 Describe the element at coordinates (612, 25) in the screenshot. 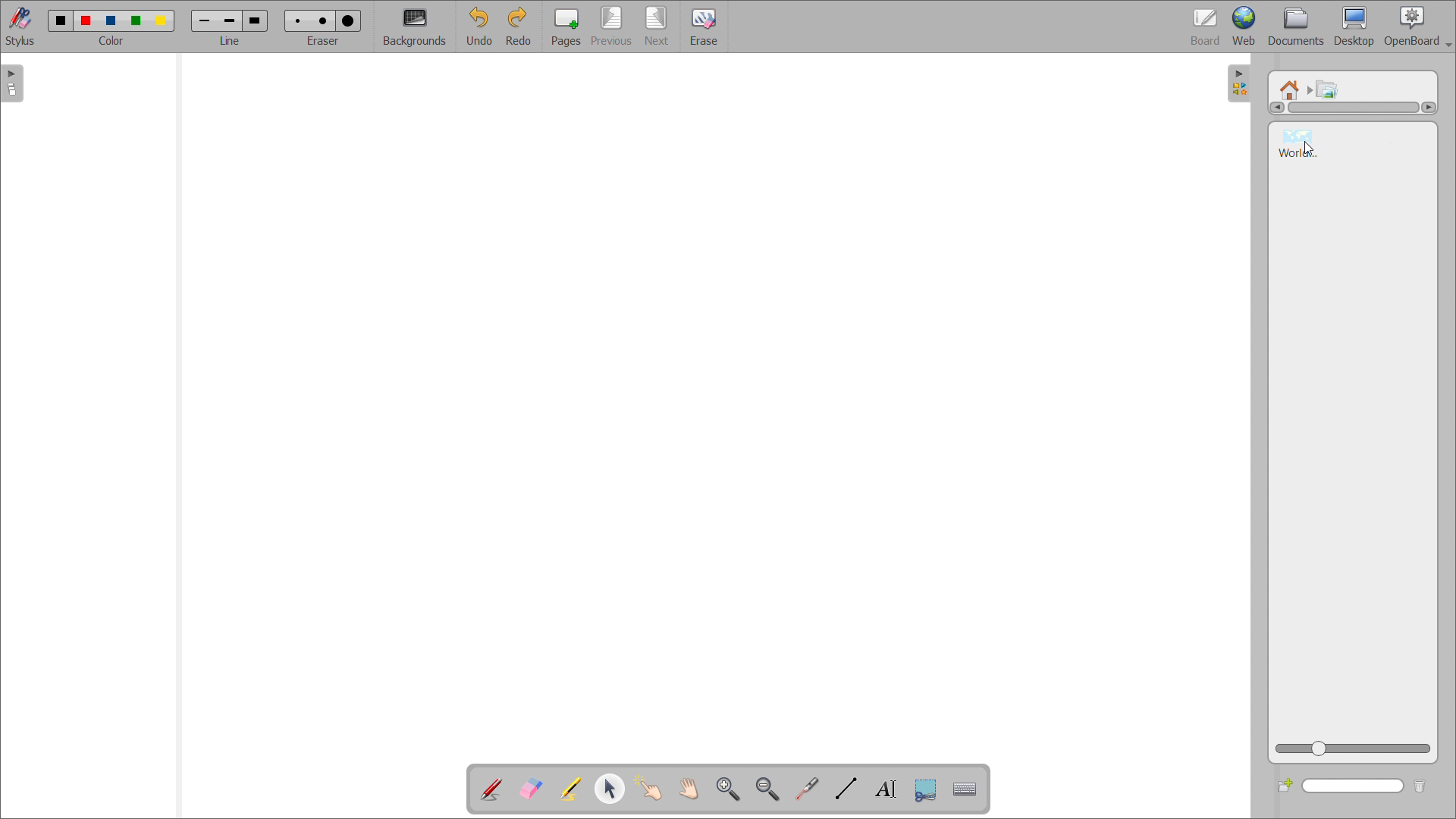

I see `previous page` at that location.